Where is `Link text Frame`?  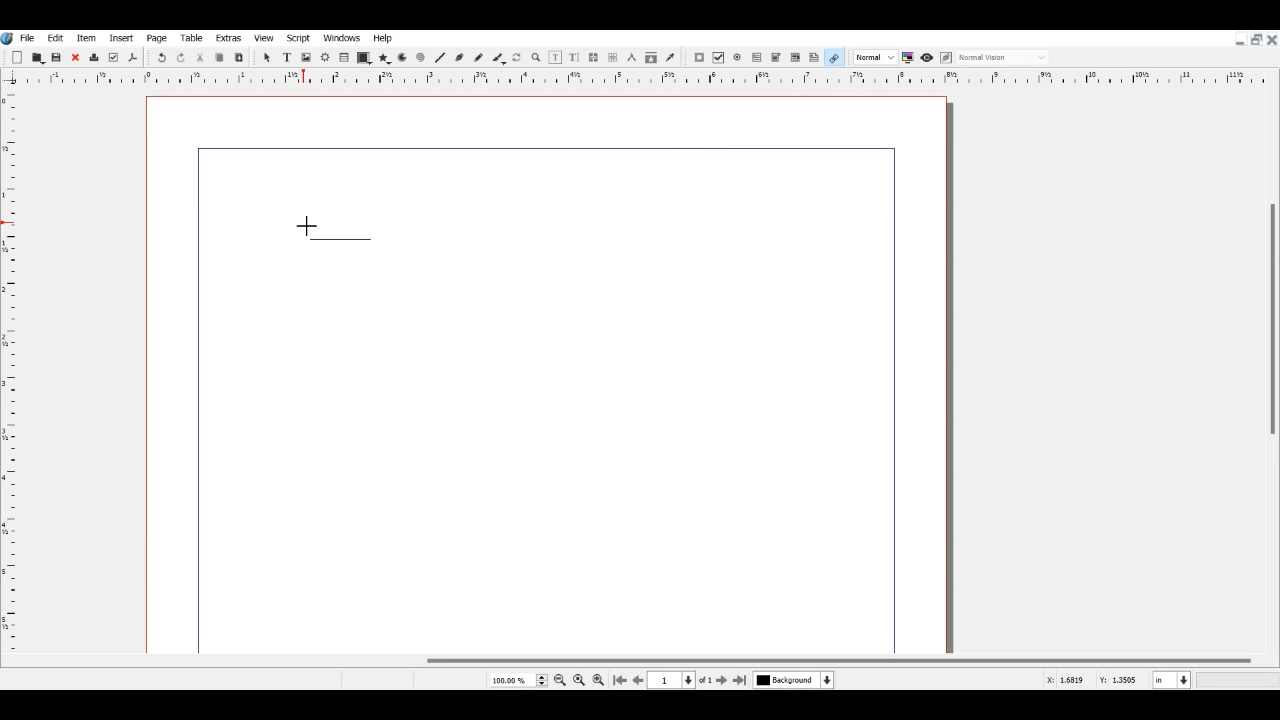 Link text Frame is located at coordinates (594, 57).